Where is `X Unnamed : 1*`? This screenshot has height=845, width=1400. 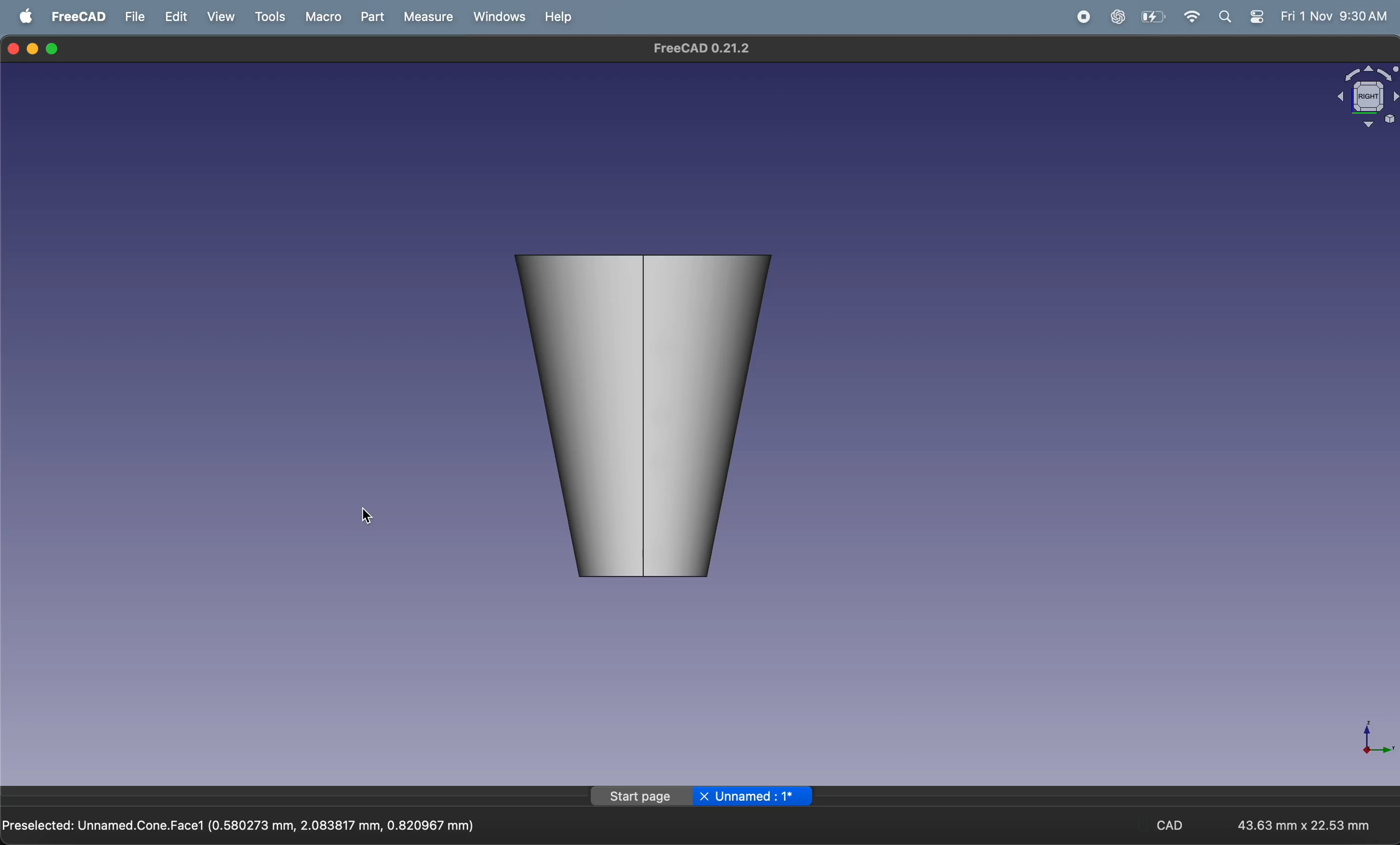
X Unnamed : 1* is located at coordinates (753, 794).